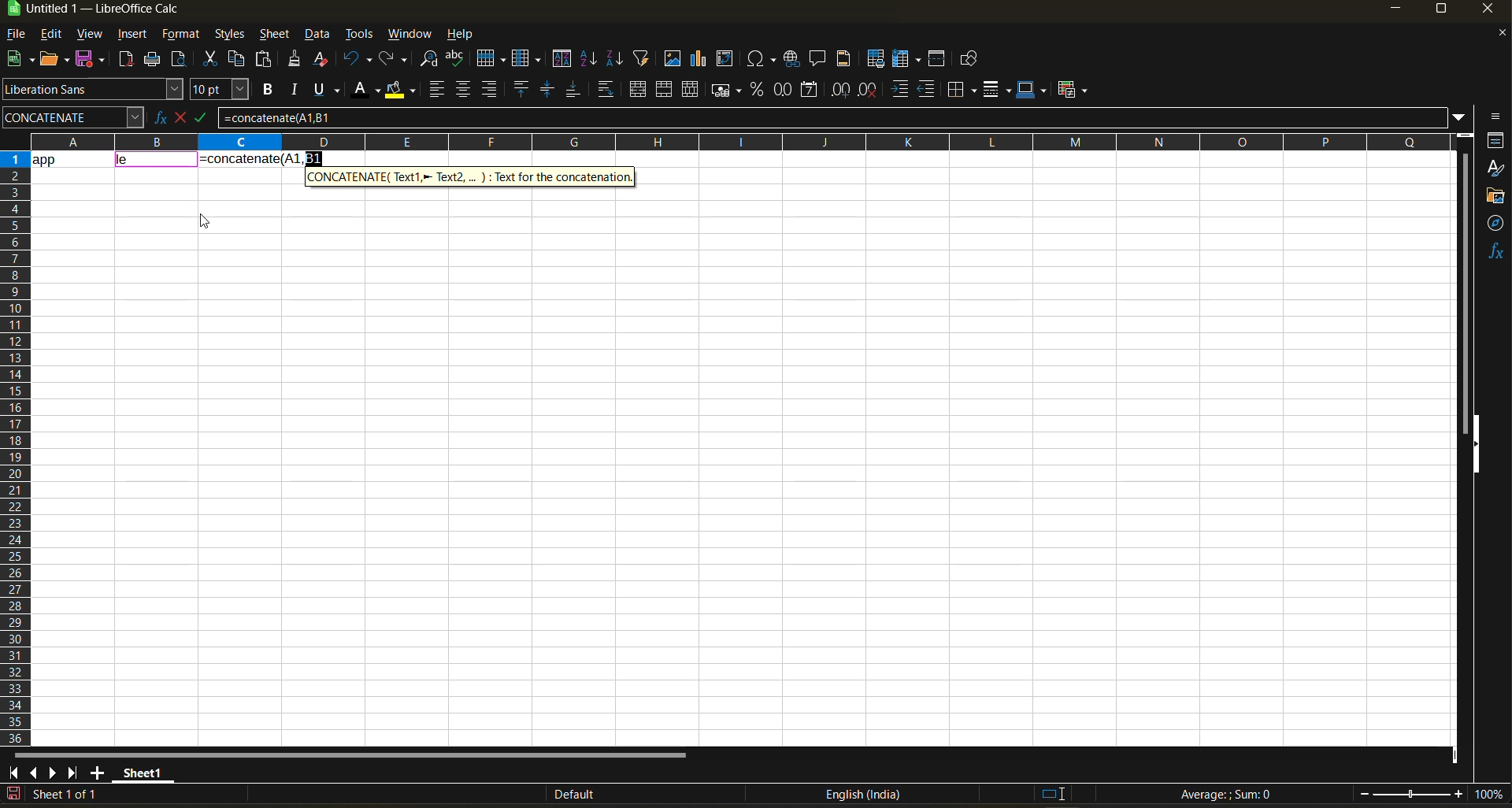 The width and height of the screenshot is (1512, 808). Describe the element at coordinates (1075, 89) in the screenshot. I see `conditional` at that location.